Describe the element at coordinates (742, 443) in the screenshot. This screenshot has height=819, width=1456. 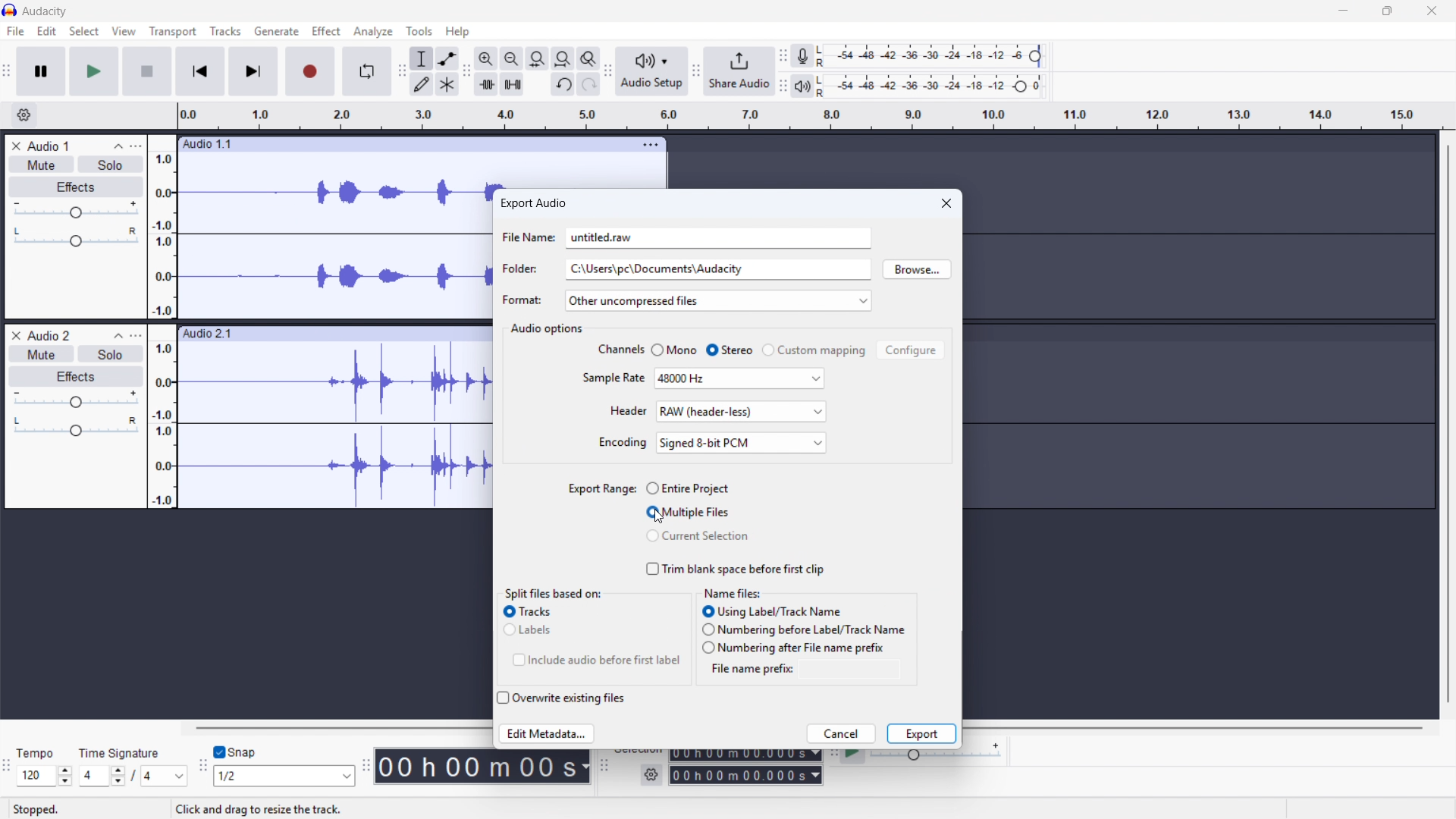
I see `Select Encoding` at that location.